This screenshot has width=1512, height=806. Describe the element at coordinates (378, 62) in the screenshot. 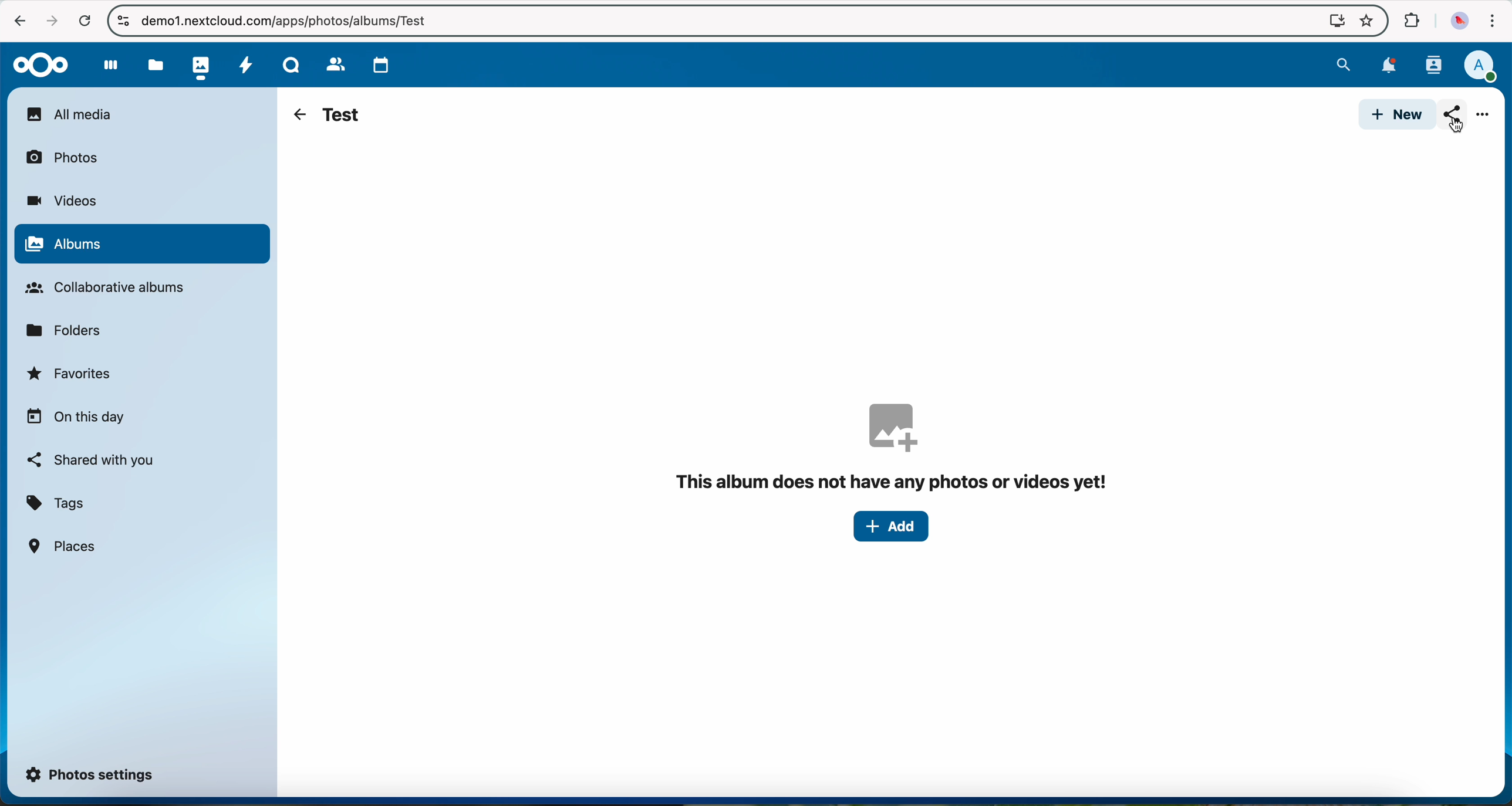

I see `calendar` at that location.